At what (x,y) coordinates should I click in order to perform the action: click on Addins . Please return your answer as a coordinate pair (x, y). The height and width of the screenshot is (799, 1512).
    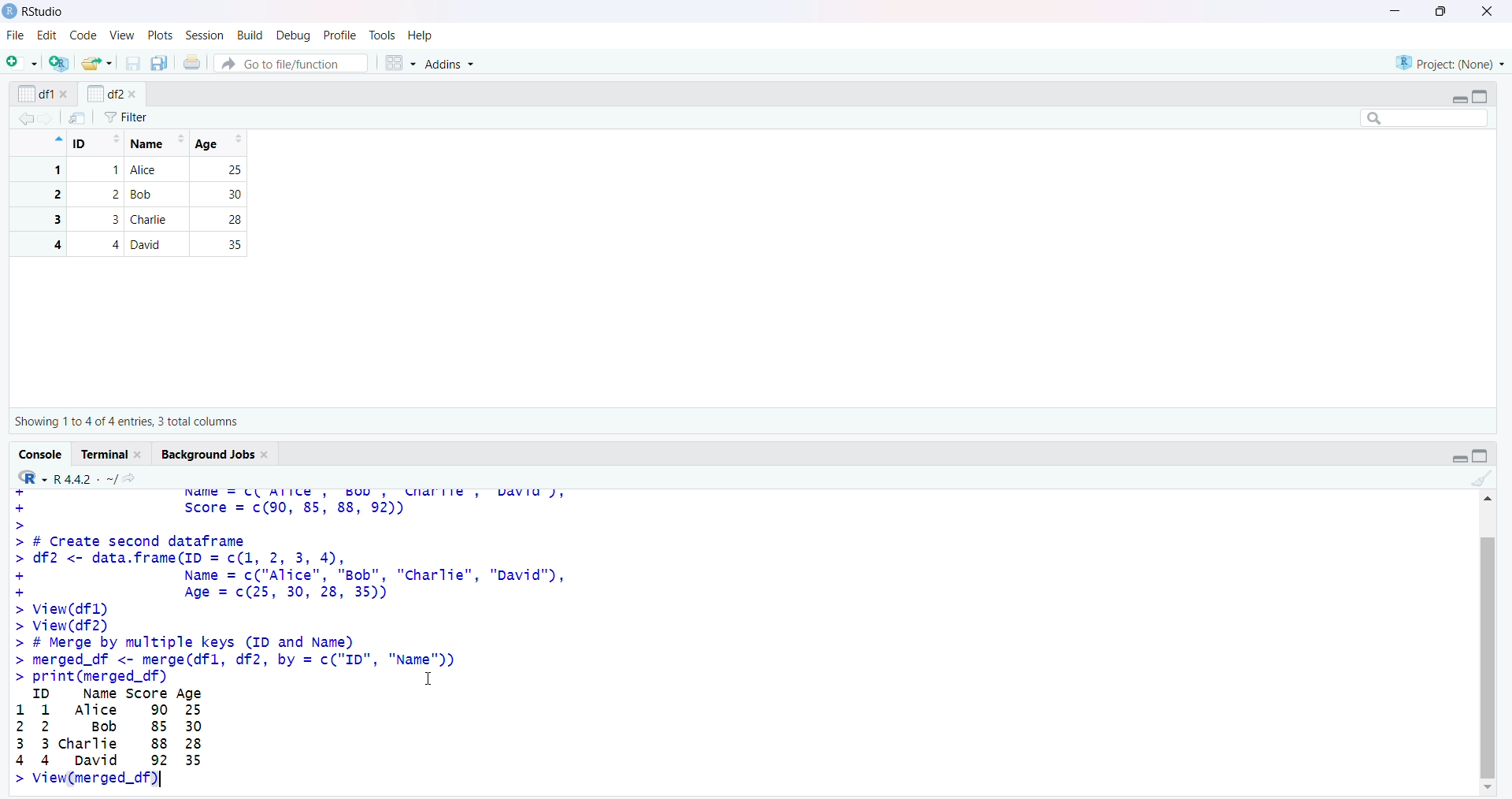
    Looking at the image, I should click on (448, 63).